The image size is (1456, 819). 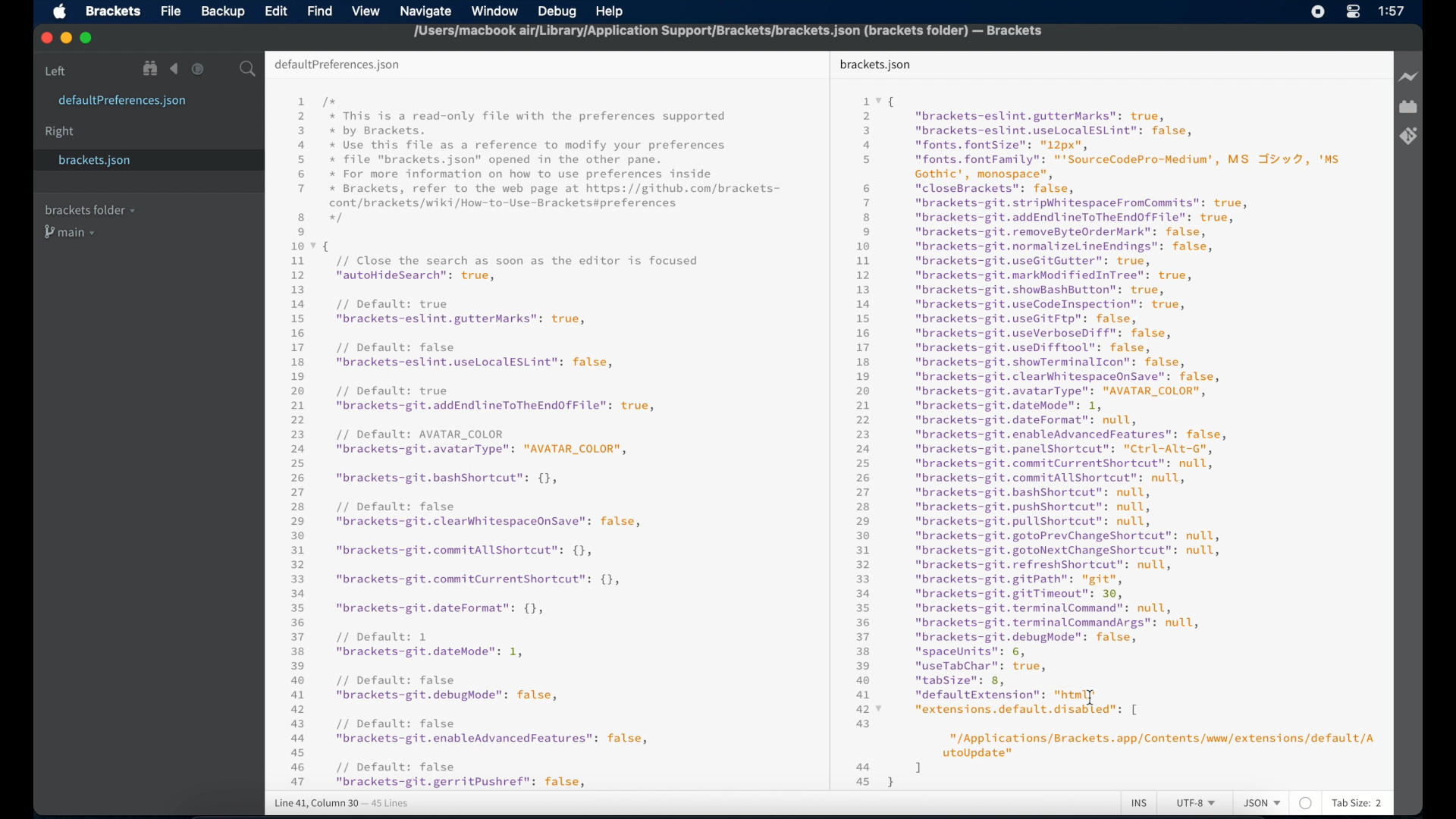 What do you see at coordinates (222, 69) in the screenshot?
I see `split editor vertical or horizontal` at bounding box center [222, 69].